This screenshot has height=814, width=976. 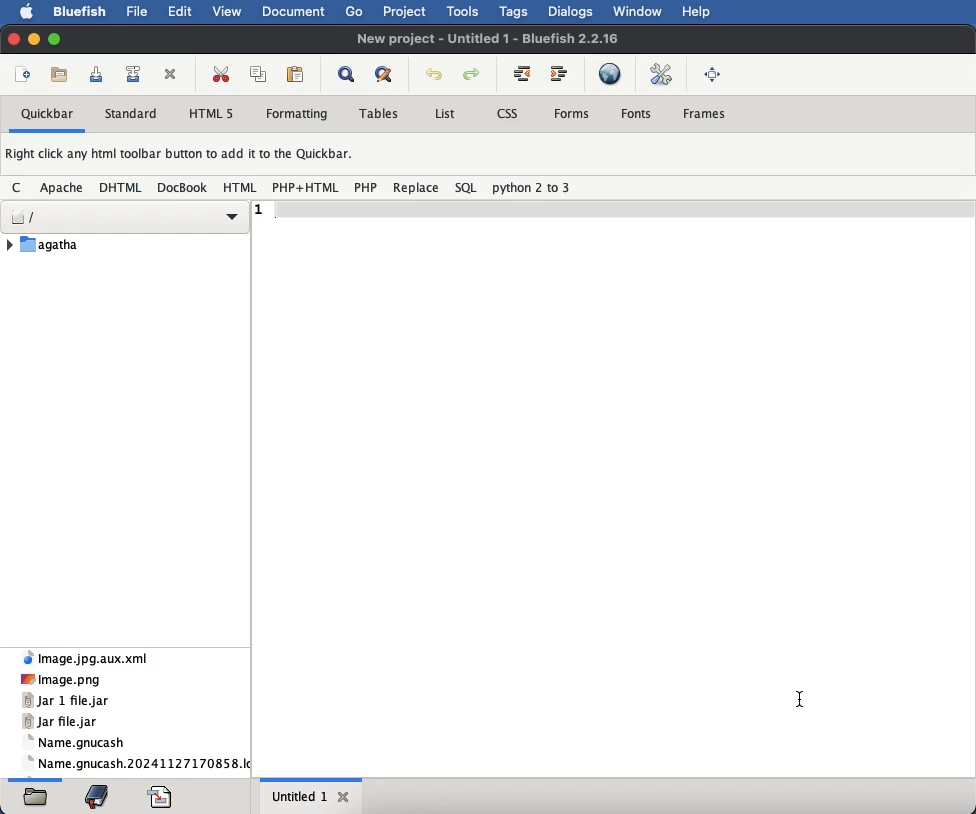 I want to click on redo, so click(x=474, y=75).